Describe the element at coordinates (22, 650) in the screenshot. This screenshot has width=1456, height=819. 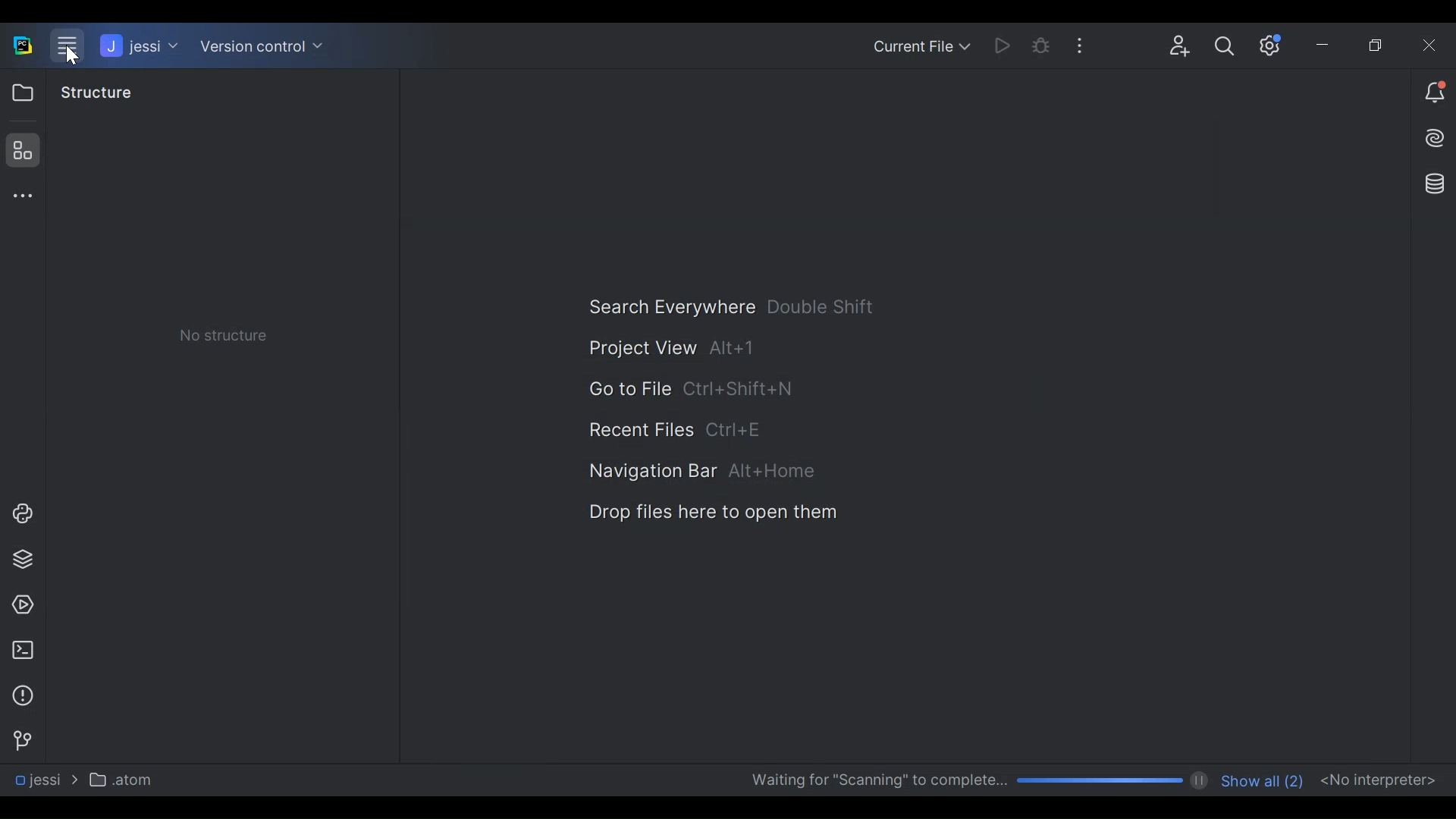
I see `Terminal` at that location.